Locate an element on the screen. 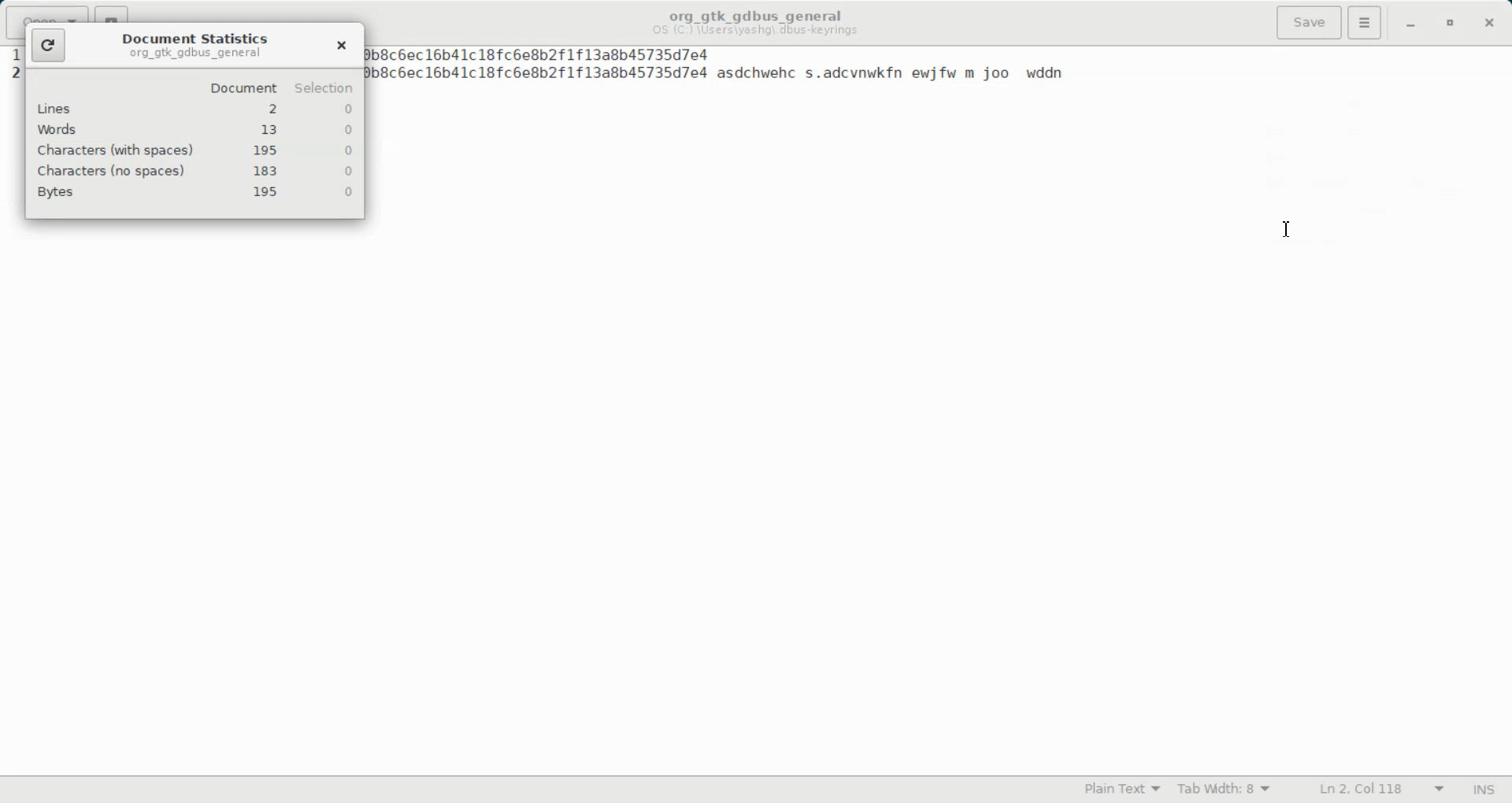 The image size is (1512, 803).  org_gtk_gdbus_general org_gtk_gdbus_general is located at coordinates (197, 56).